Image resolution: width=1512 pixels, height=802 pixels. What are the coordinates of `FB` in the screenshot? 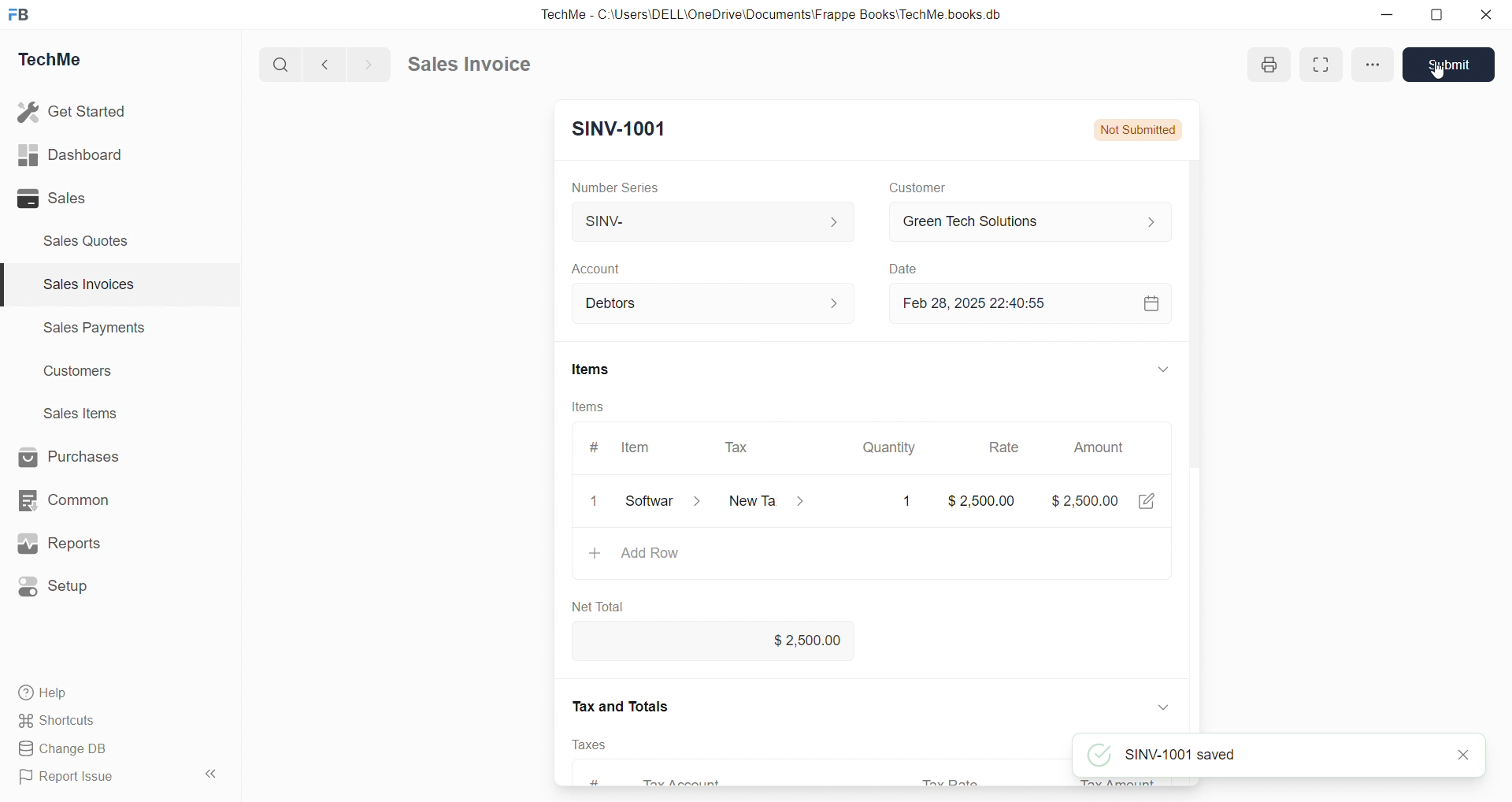 It's located at (19, 16).